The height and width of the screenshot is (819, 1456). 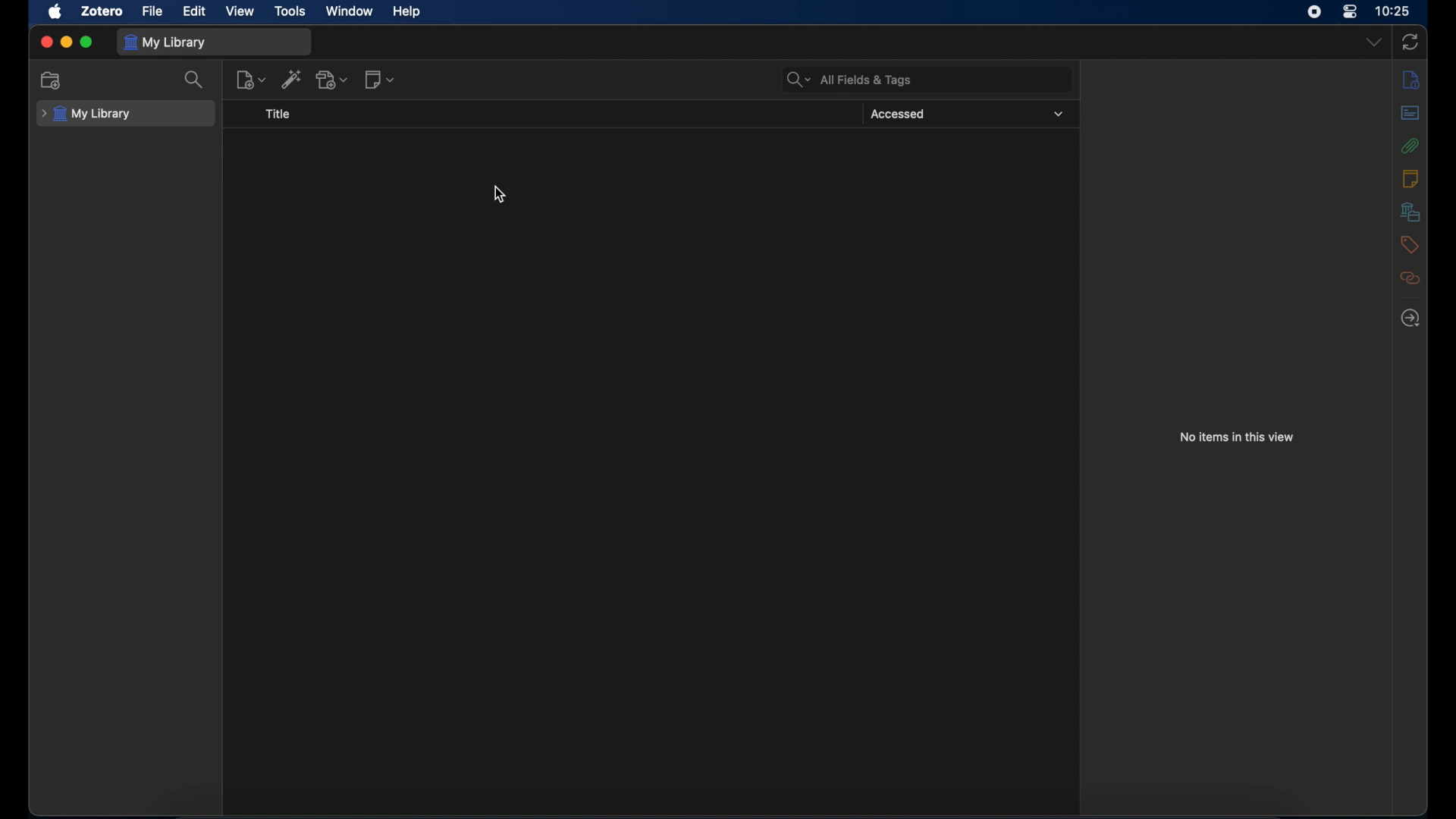 I want to click on new collection, so click(x=53, y=80).